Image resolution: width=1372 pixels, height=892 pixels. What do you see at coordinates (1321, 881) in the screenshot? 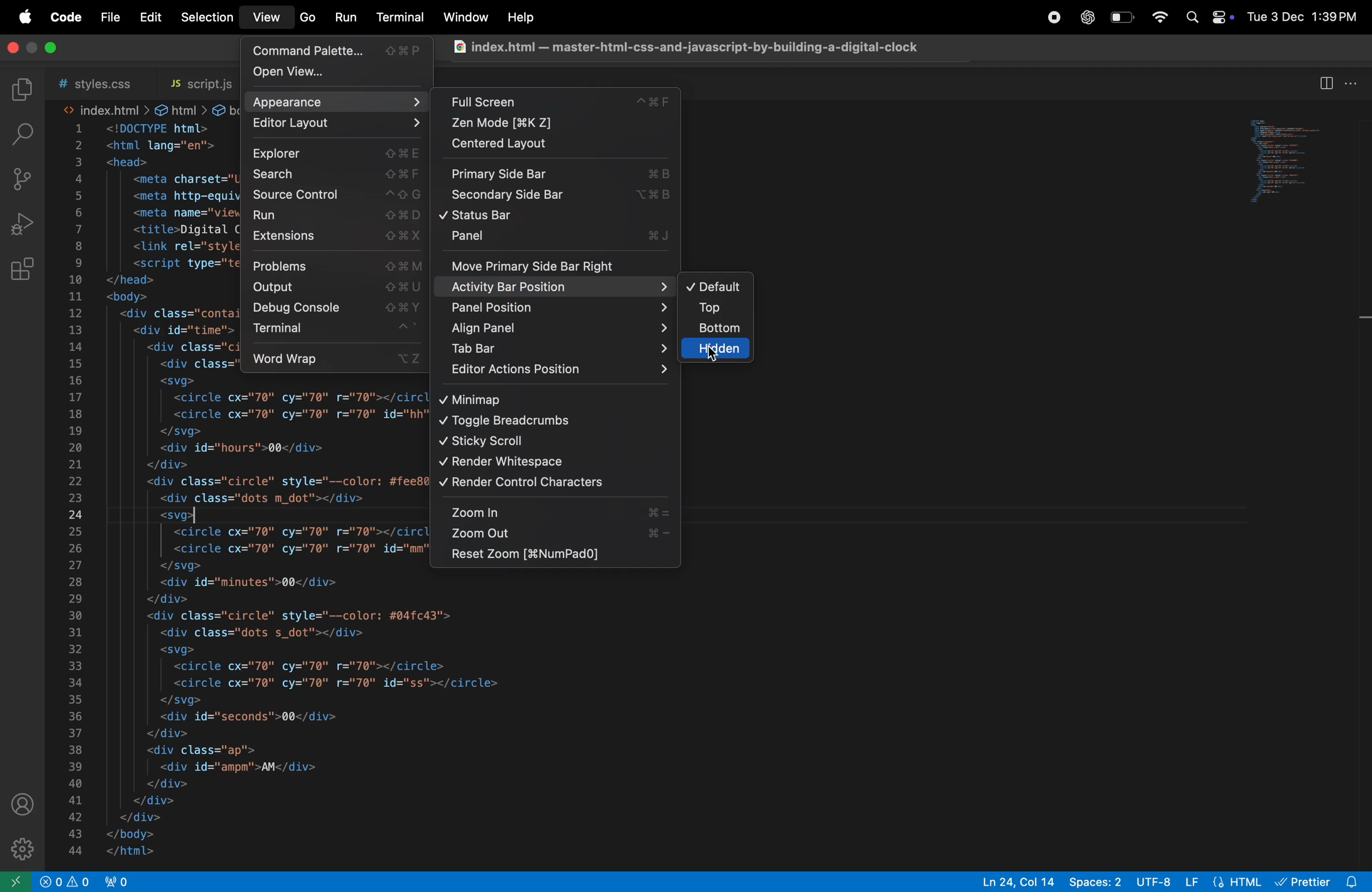
I see `prettier extension installed` at bounding box center [1321, 881].